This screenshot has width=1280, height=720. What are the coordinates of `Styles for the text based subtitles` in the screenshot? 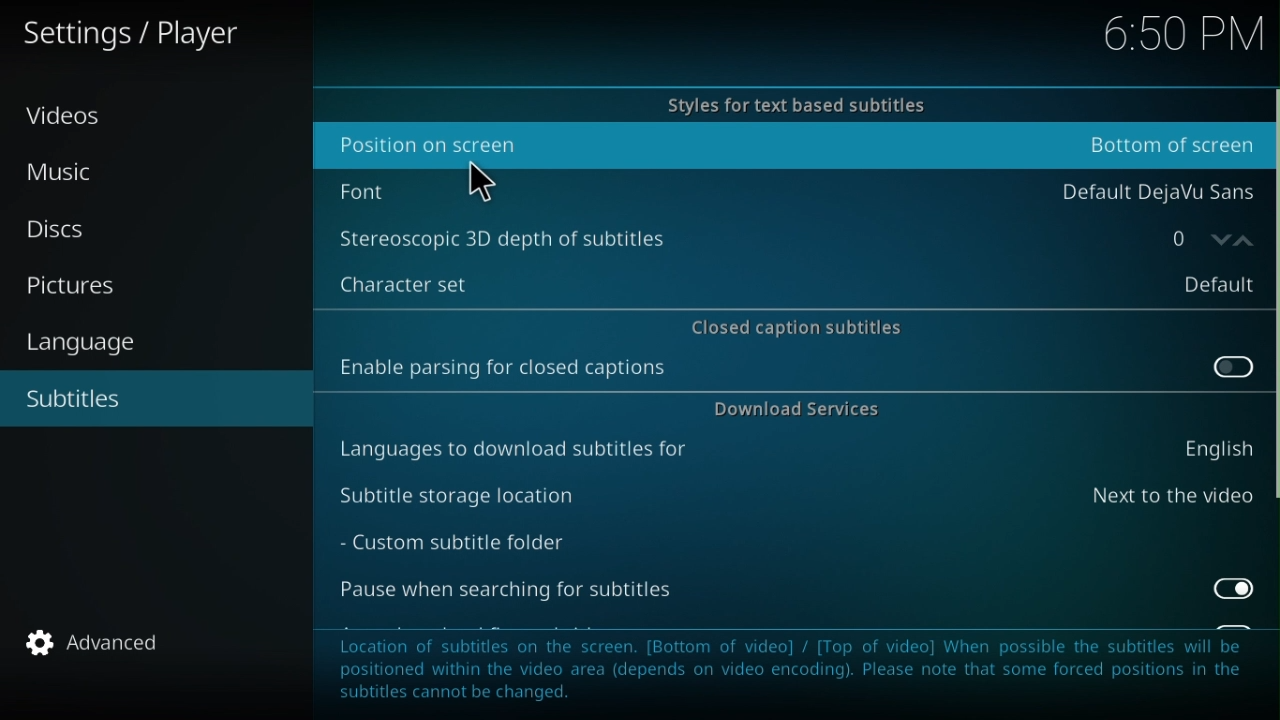 It's located at (787, 102).